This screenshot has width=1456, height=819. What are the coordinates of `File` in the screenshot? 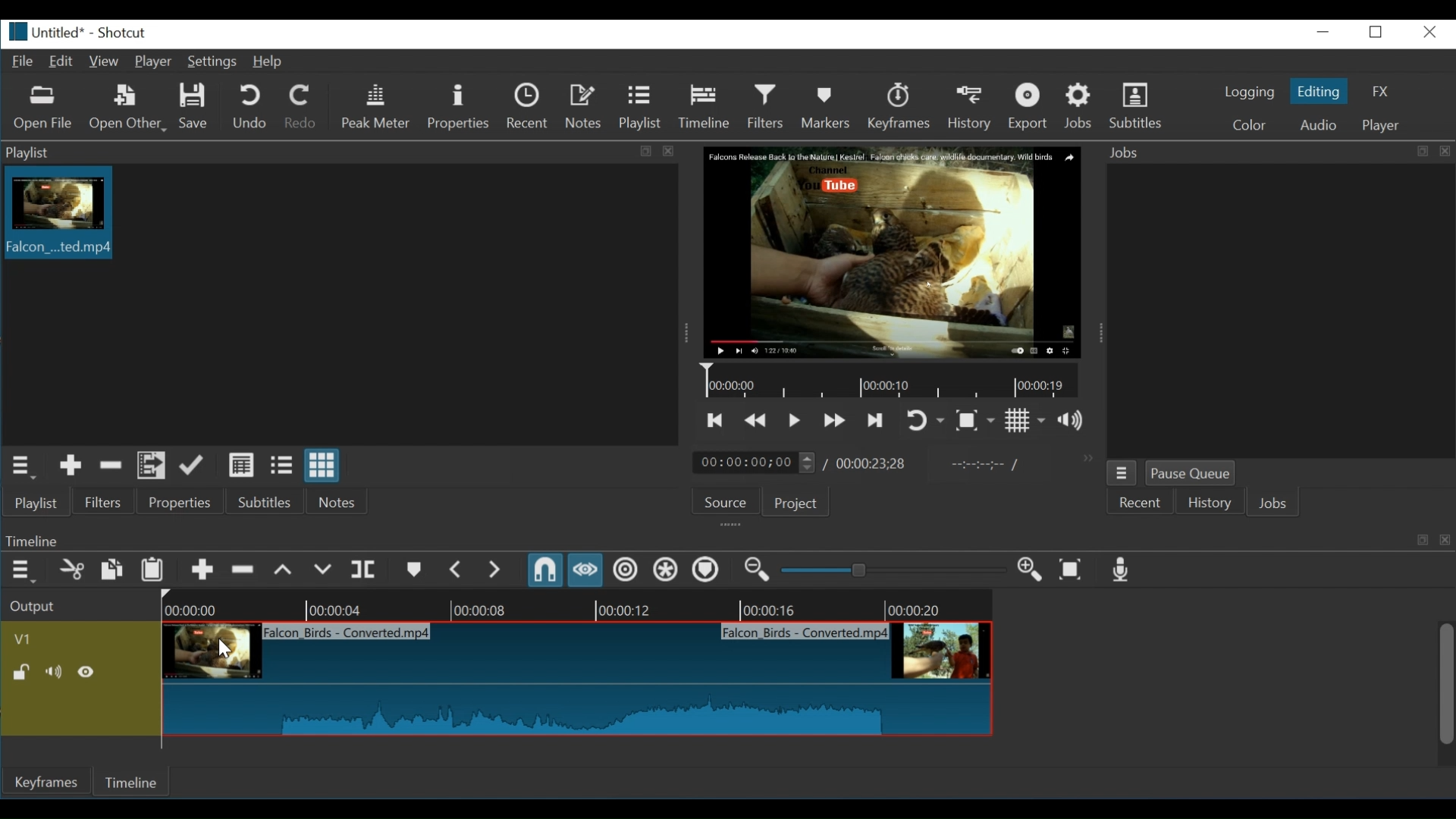 It's located at (20, 60).